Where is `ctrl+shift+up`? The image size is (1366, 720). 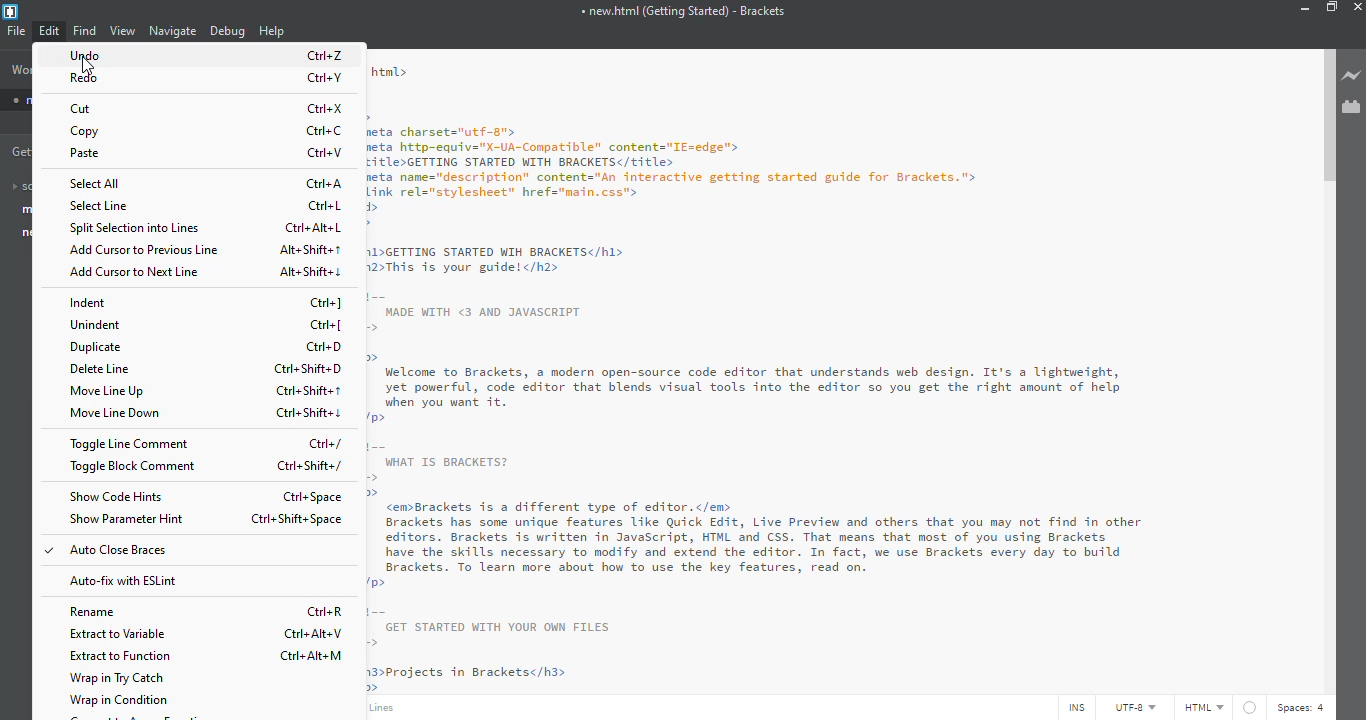 ctrl+shift+up is located at coordinates (312, 390).